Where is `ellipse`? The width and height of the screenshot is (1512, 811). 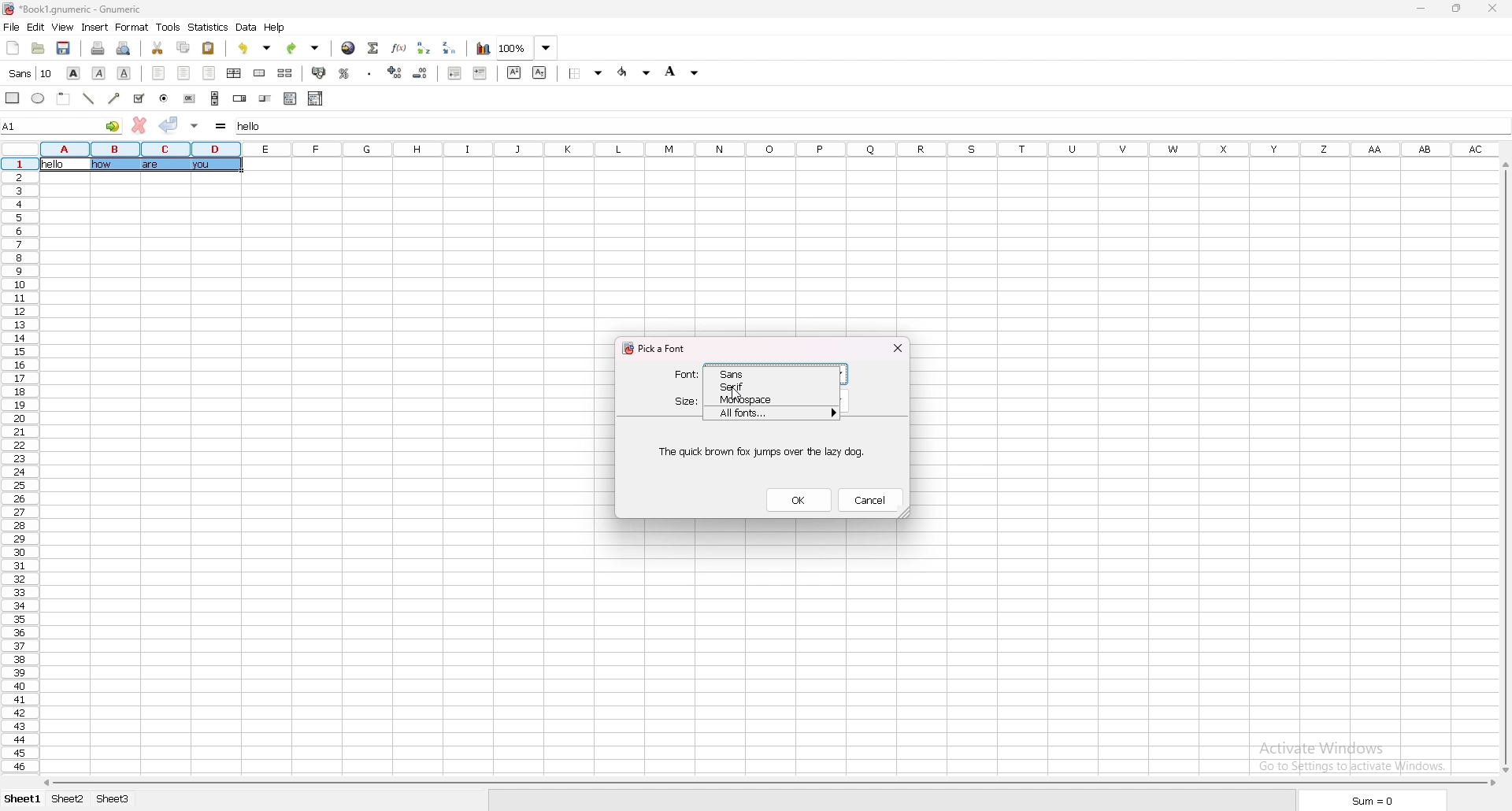 ellipse is located at coordinates (37, 98).